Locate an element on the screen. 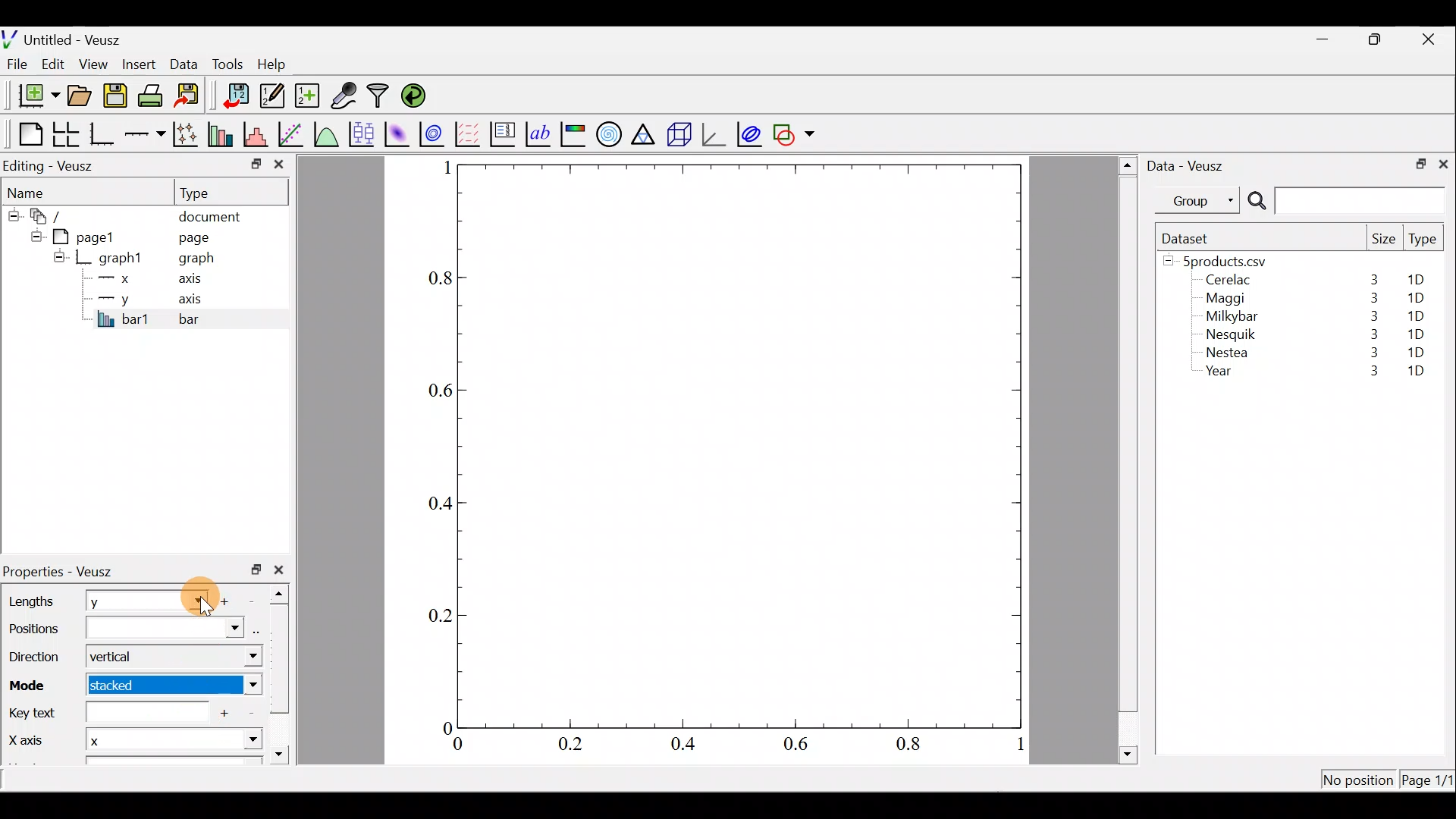 This screenshot has height=819, width=1456. scroll bar is located at coordinates (1128, 457).